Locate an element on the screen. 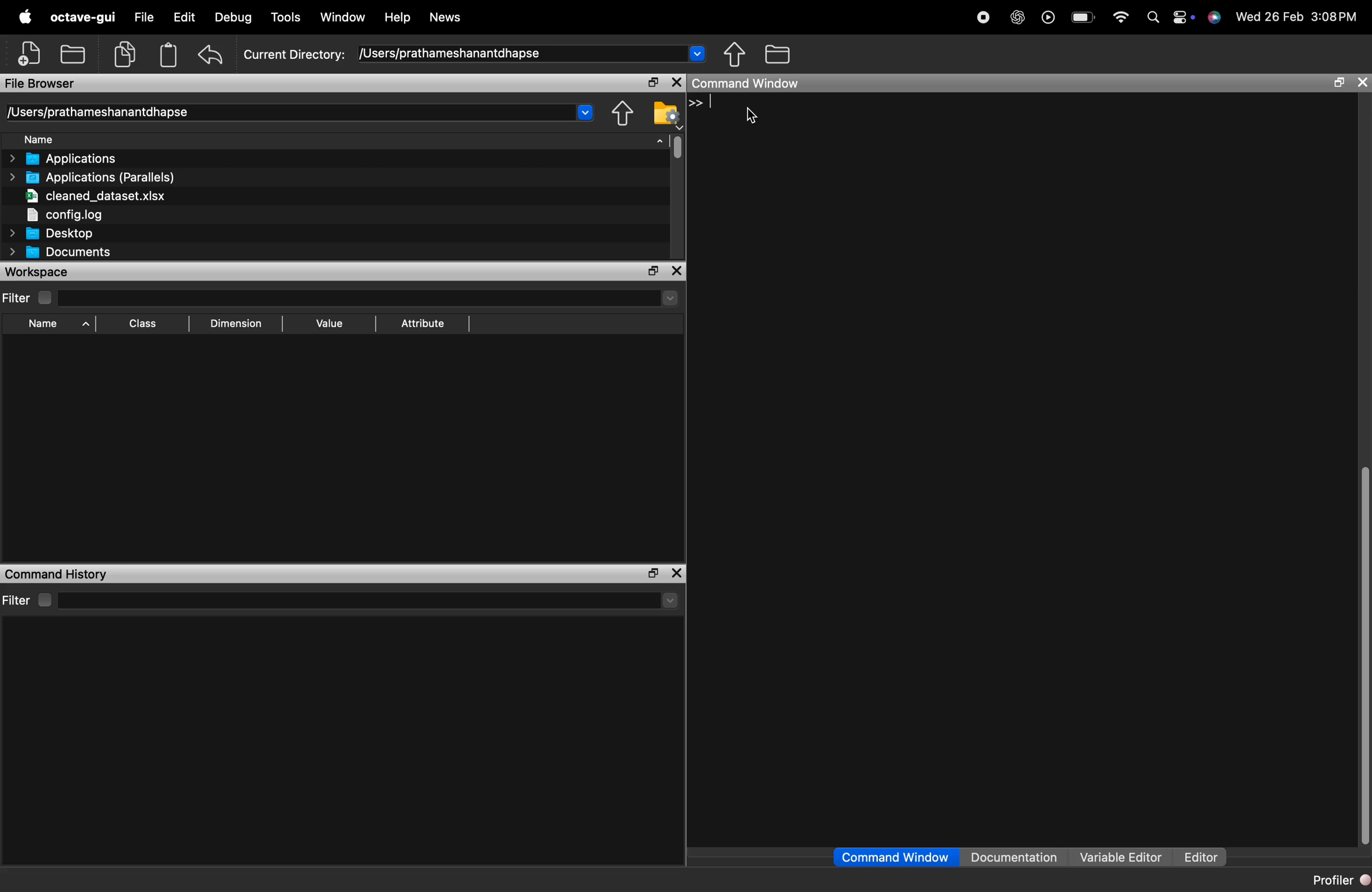 This screenshot has width=1372, height=892. close is located at coordinates (652, 573).